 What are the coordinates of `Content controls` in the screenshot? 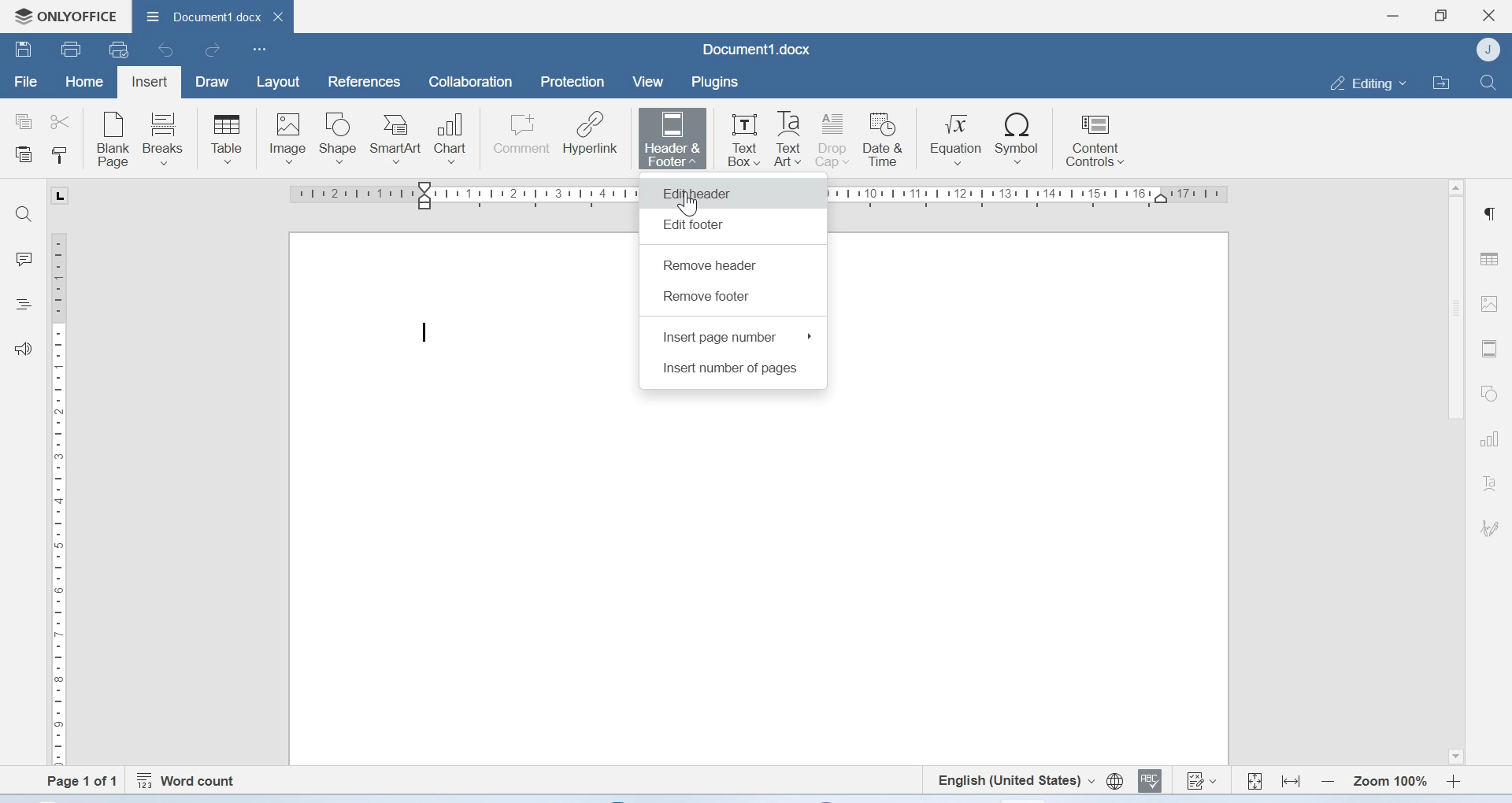 It's located at (1094, 142).